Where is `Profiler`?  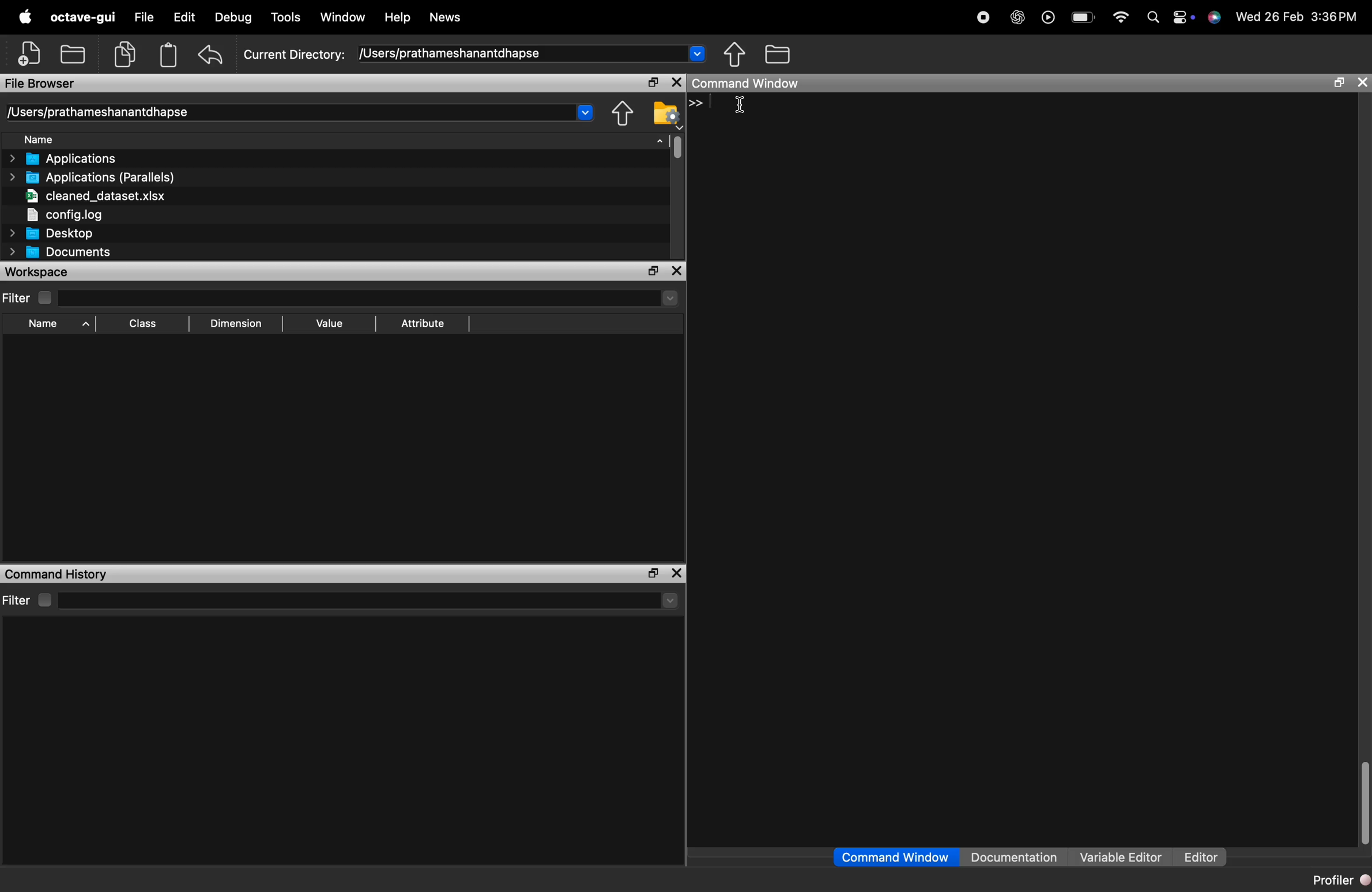 Profiler is located at coordinates (1340, 880).